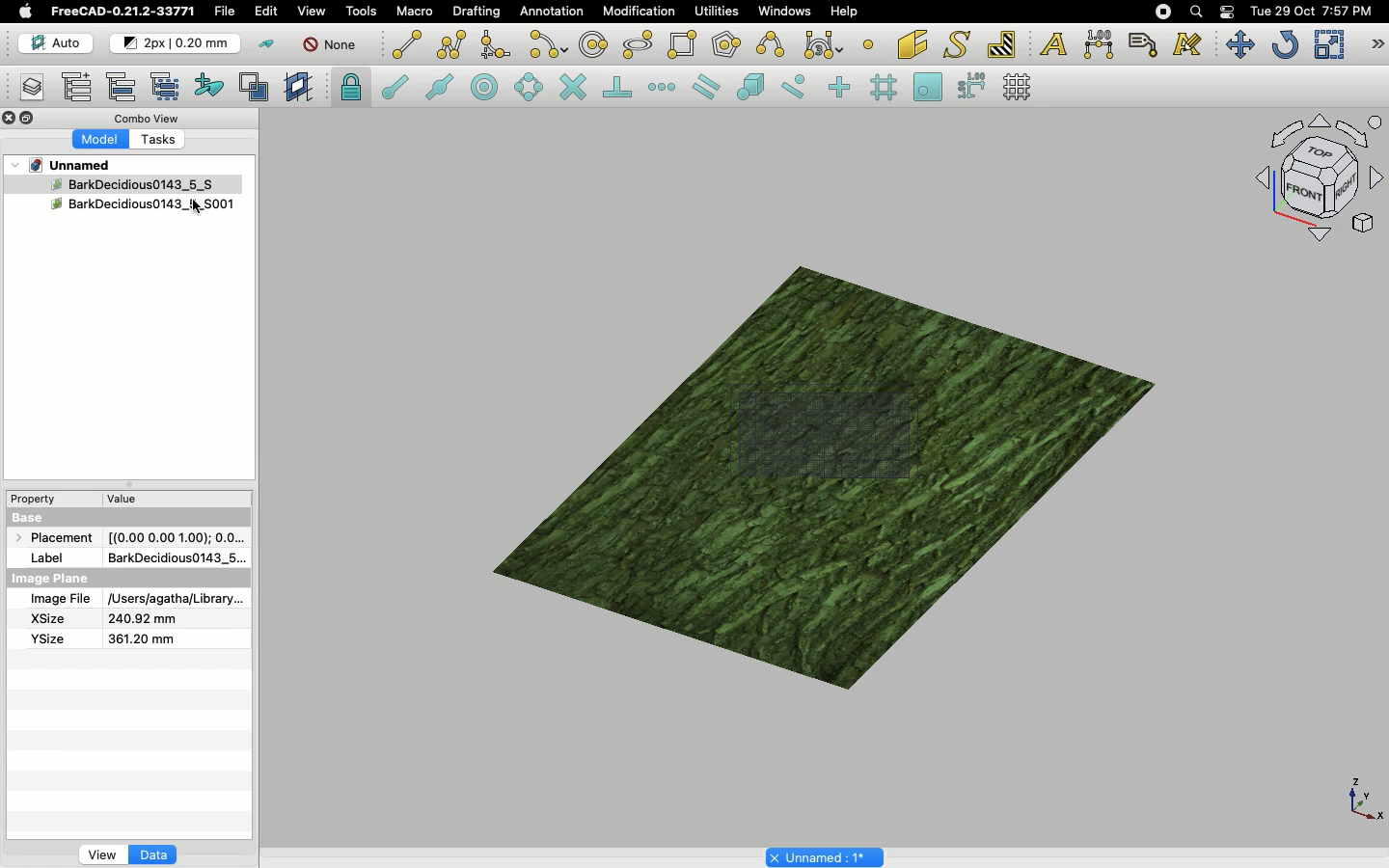  Describe the element at coordinates (124, 87) in the screenshot. I see `Move to group` at that location.